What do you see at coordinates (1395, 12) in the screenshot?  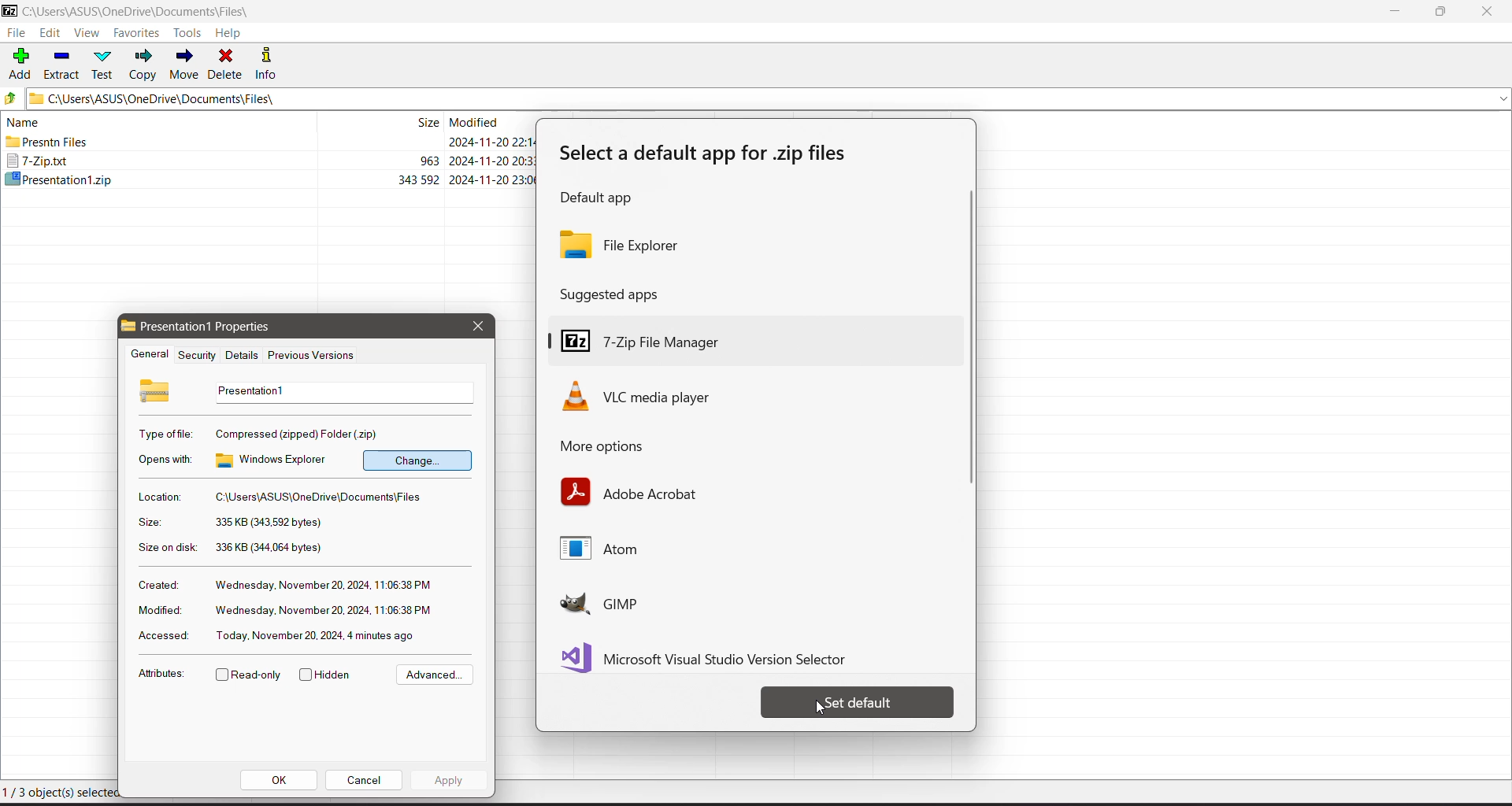 I see `Minimize` at bounding box center [1395, 12].